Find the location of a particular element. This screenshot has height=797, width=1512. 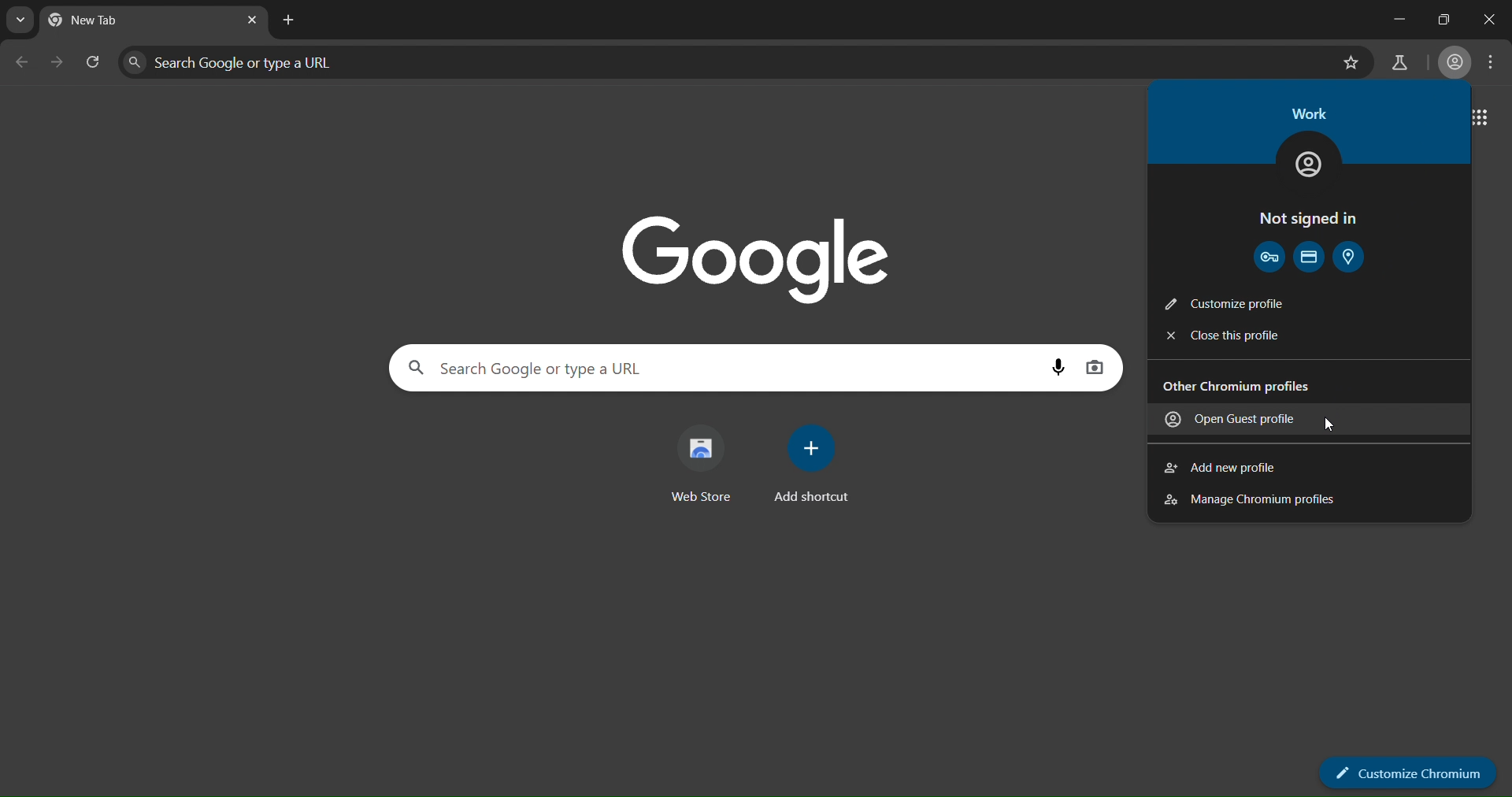

add shortcut is located at coordinates (813, 463).